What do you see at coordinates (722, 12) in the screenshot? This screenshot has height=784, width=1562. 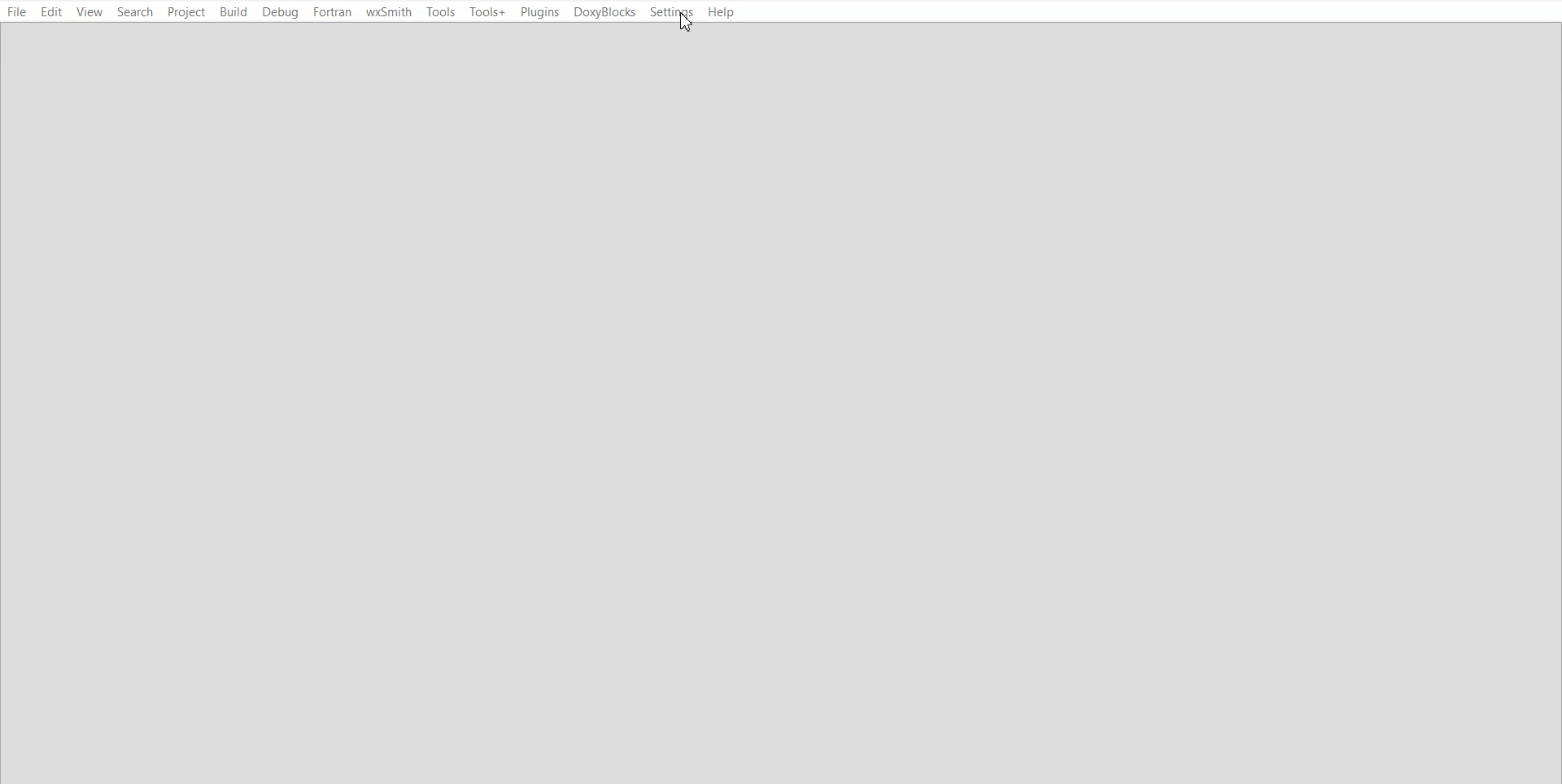 I see `Help` at bounding box center [722, 12].